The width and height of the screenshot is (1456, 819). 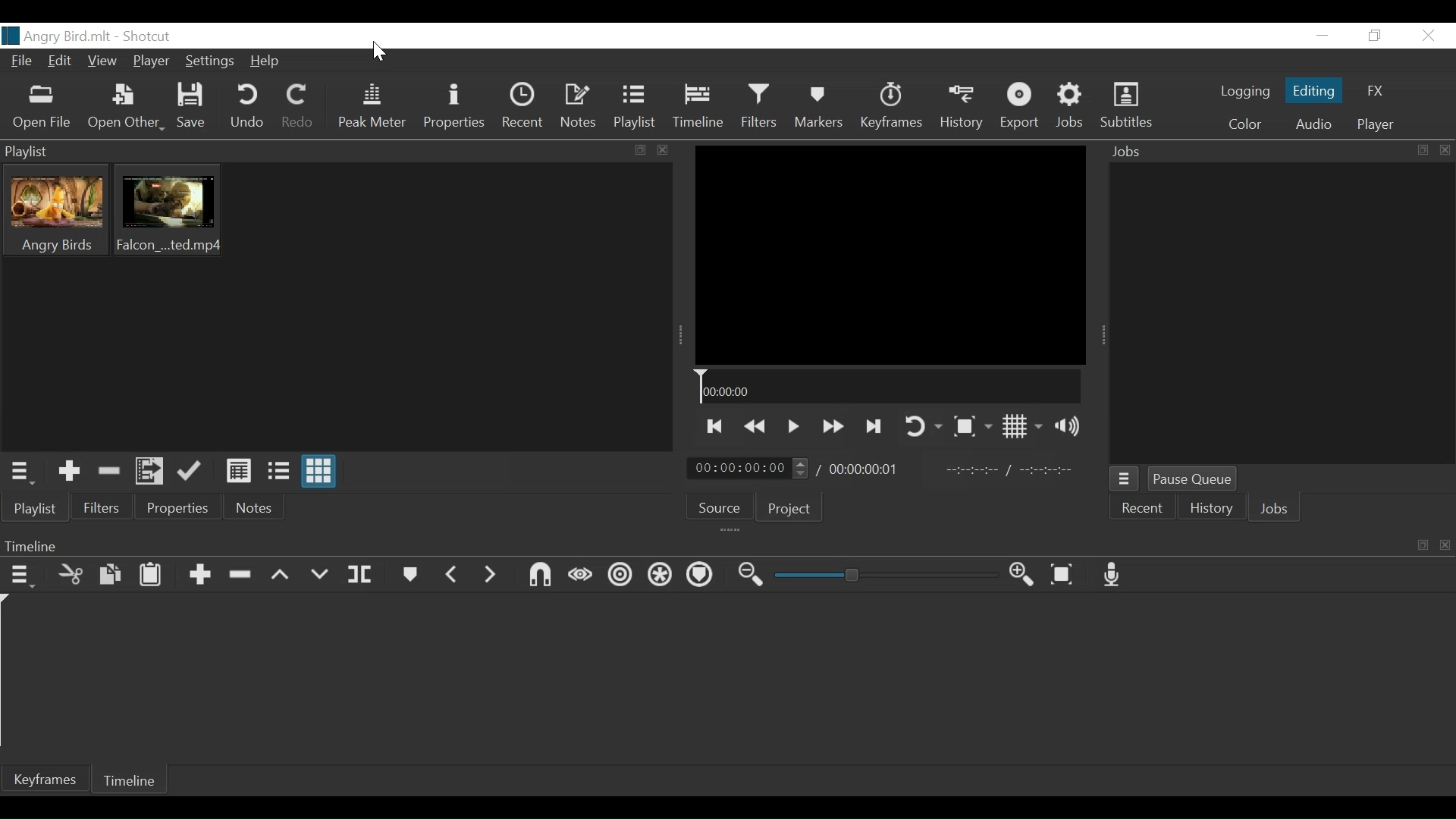 I want to click on Properties, so click(x=178, y=510).